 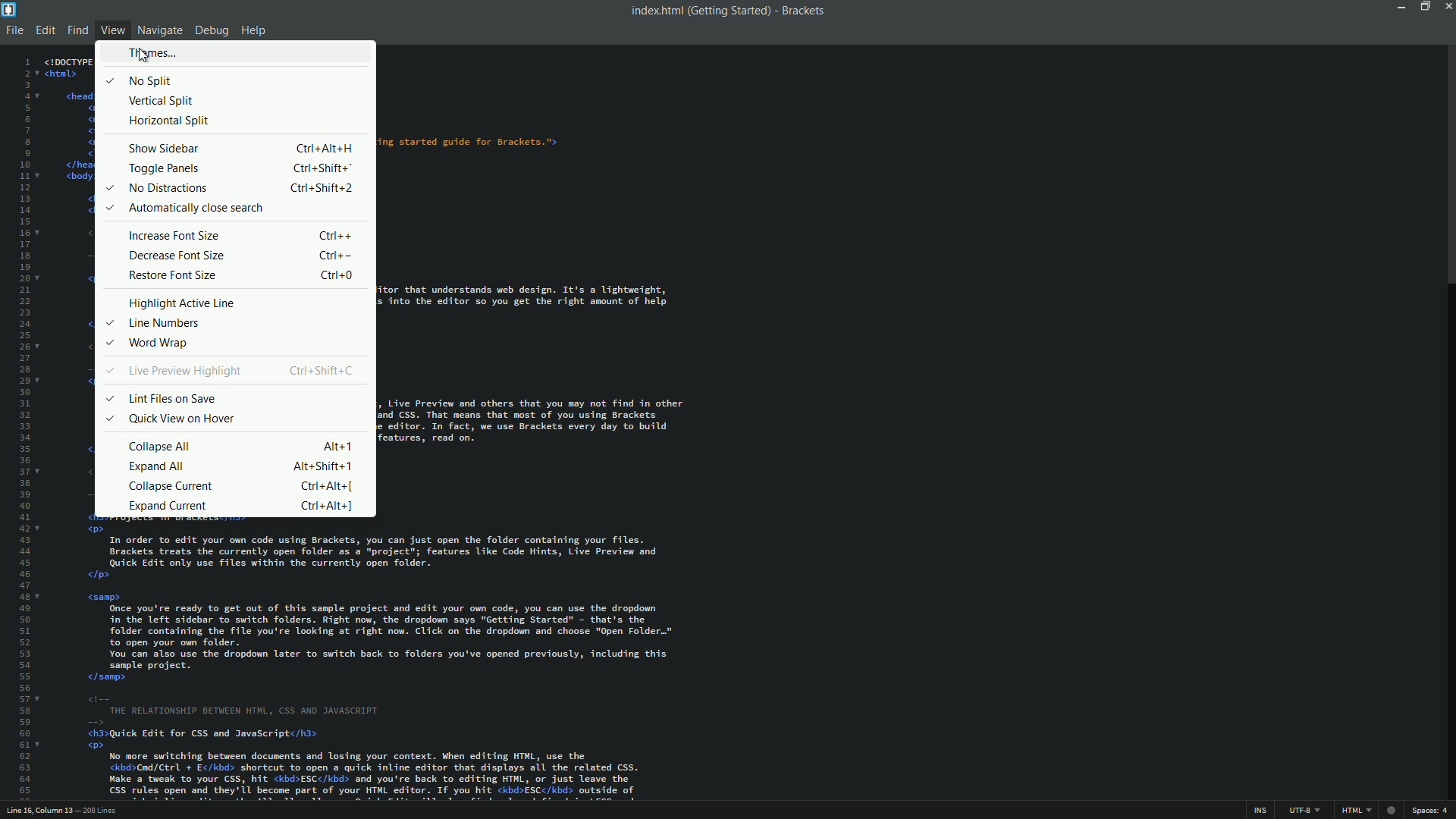 I want to click on word wrap, so click(x=158, y=344).